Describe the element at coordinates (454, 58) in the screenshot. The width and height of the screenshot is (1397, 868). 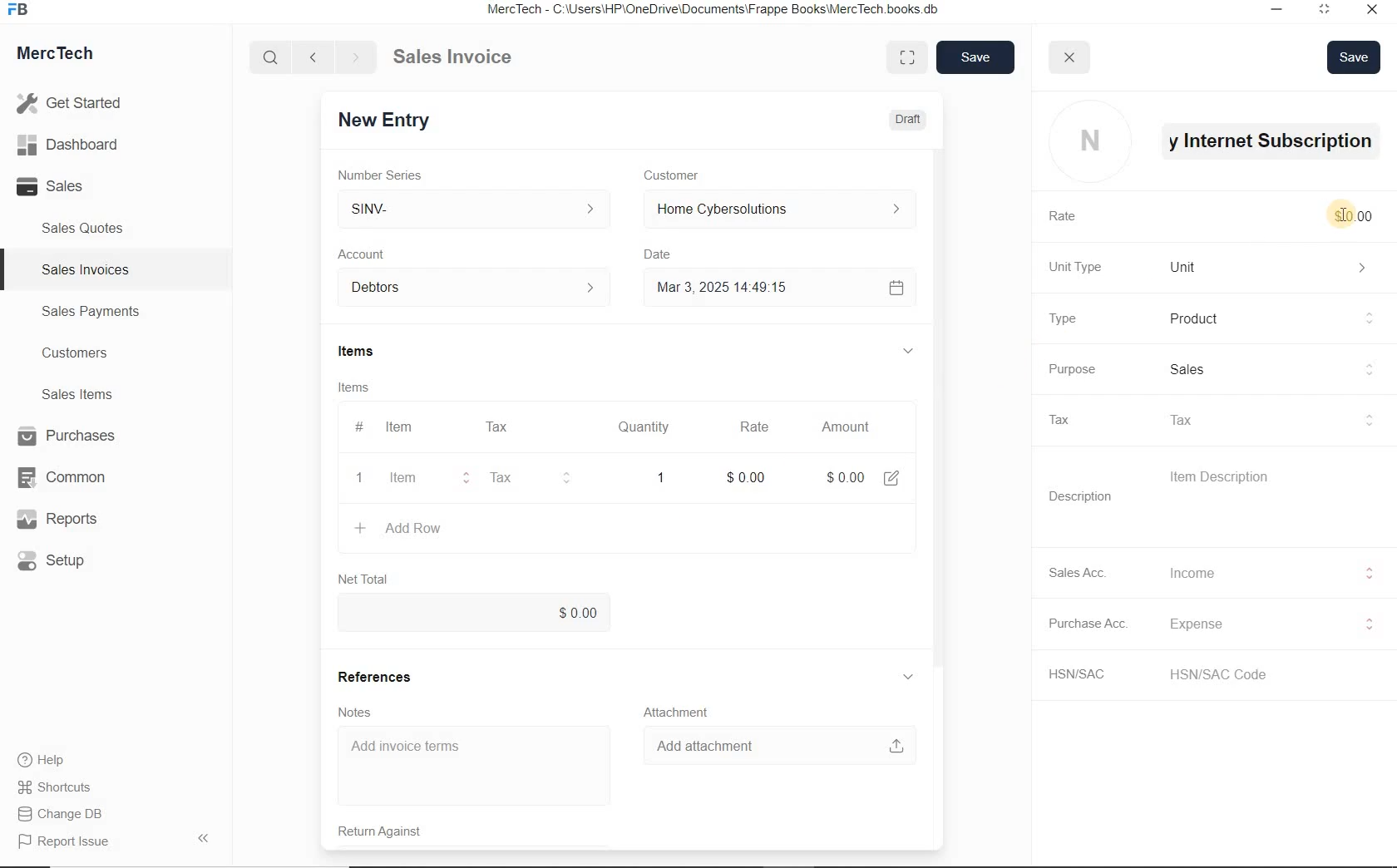
I see `Sales Invoice` at that location.